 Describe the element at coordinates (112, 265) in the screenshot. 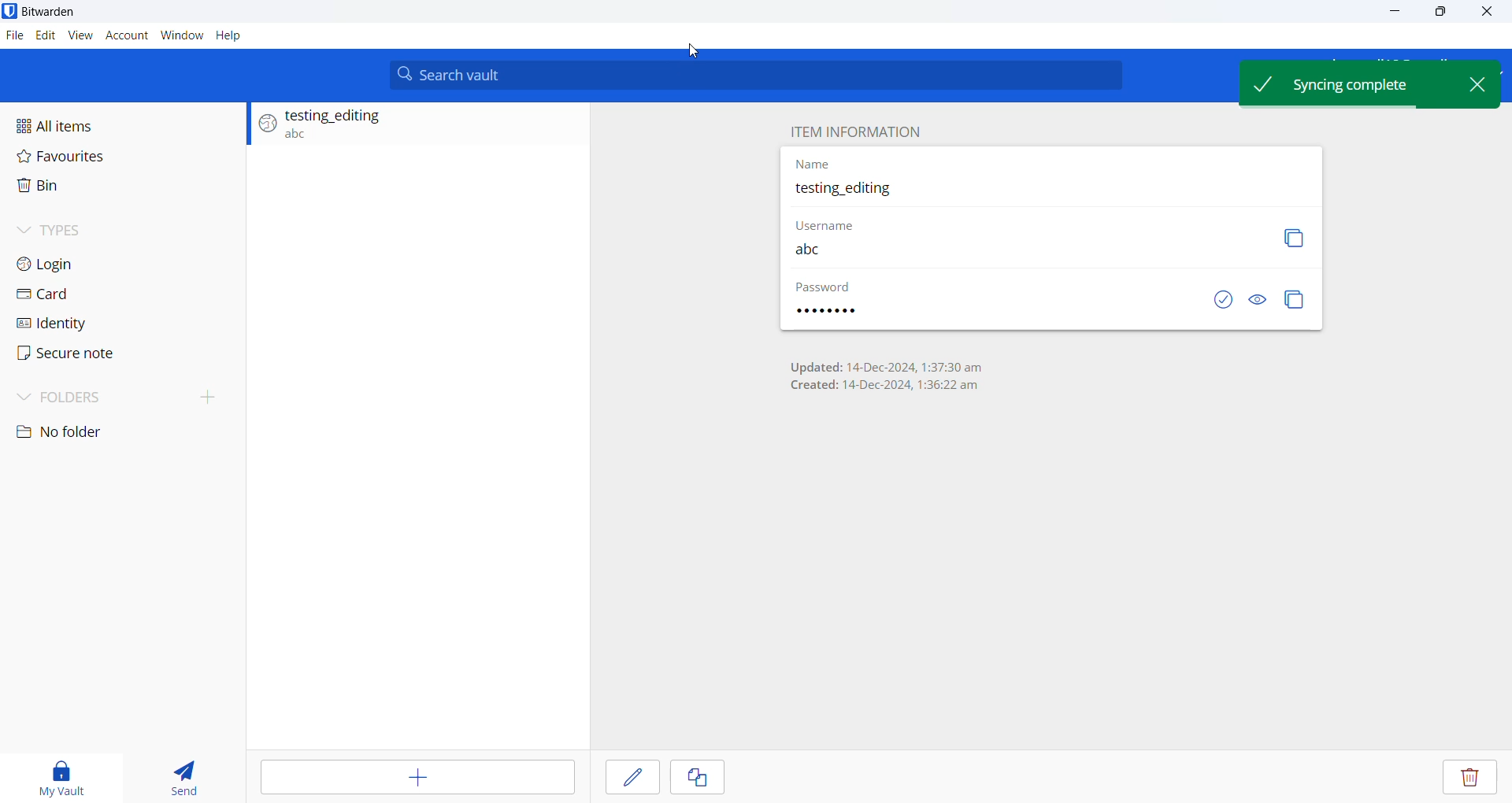

I see `Login` at that location.